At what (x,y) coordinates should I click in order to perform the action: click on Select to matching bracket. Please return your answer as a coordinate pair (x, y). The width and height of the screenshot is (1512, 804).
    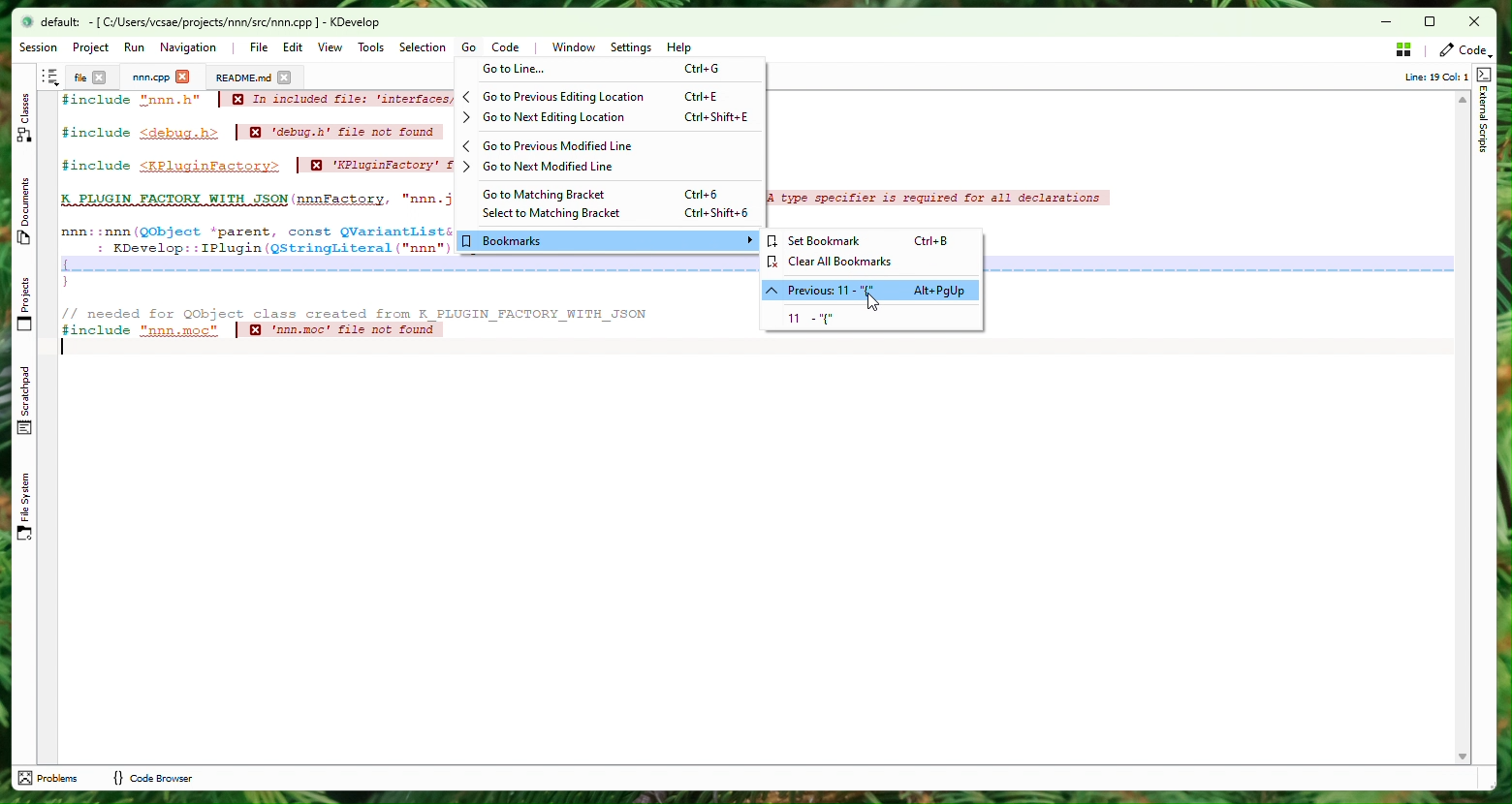
    Looking at the image, I should click on (612, 214).